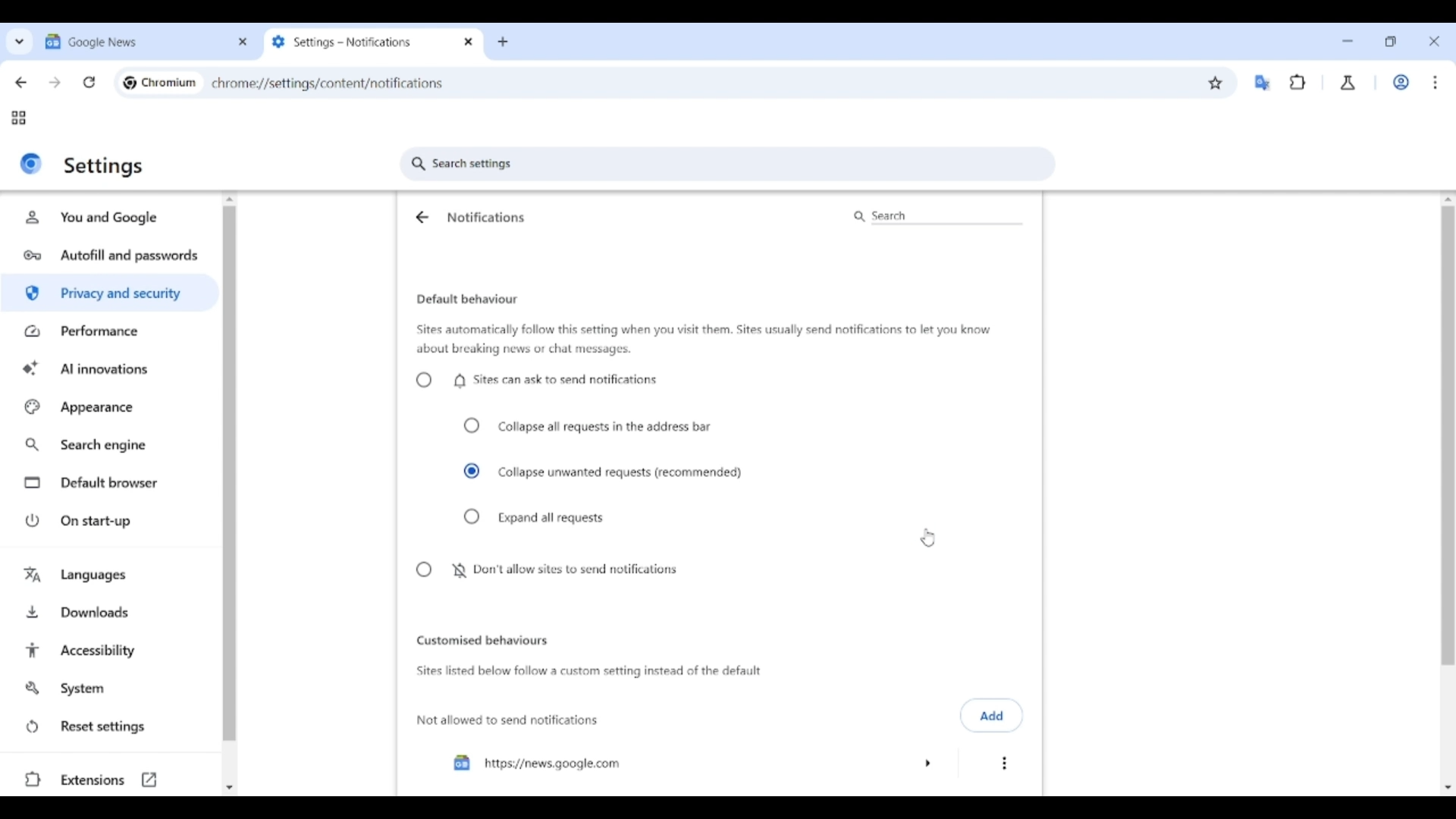 The height and width of the screenshot is (819, 1456). I want to click on Quick slide to bottom, so click(1448, 788).